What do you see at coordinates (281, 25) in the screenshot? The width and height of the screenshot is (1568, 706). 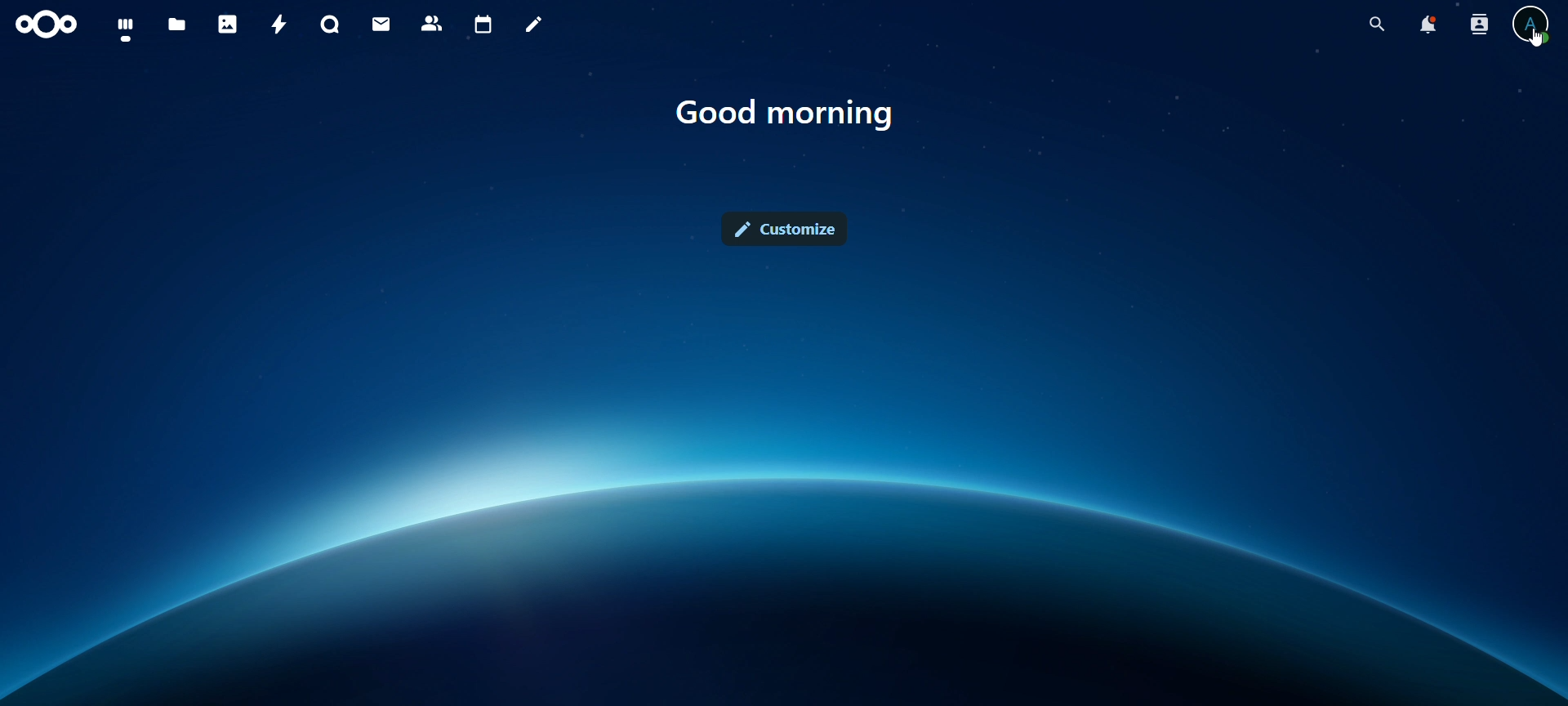 I see `activity` at bounding box center [281, 25].